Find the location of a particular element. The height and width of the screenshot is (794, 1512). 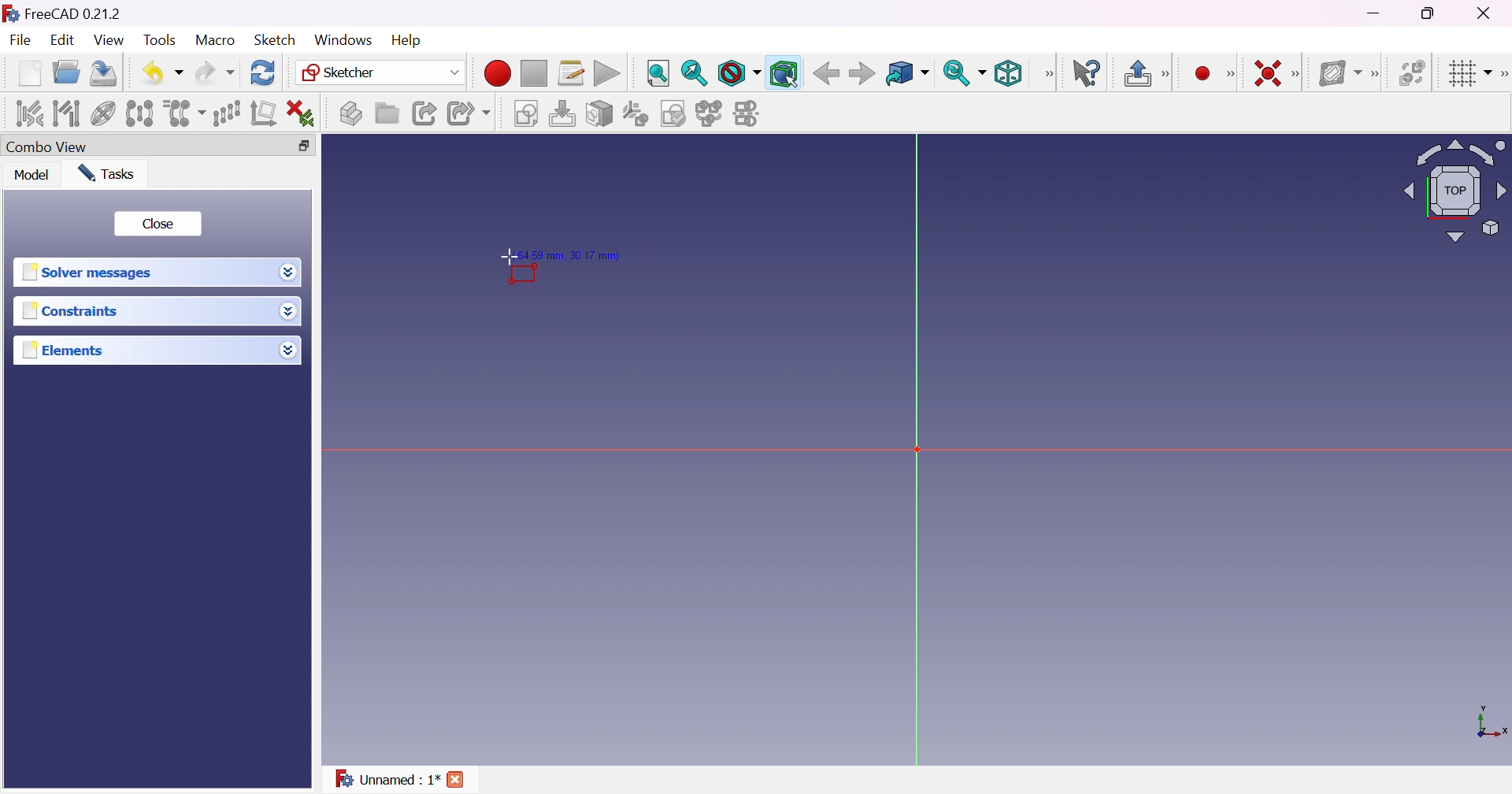

Sketcher is located at coordinates (383, 71).